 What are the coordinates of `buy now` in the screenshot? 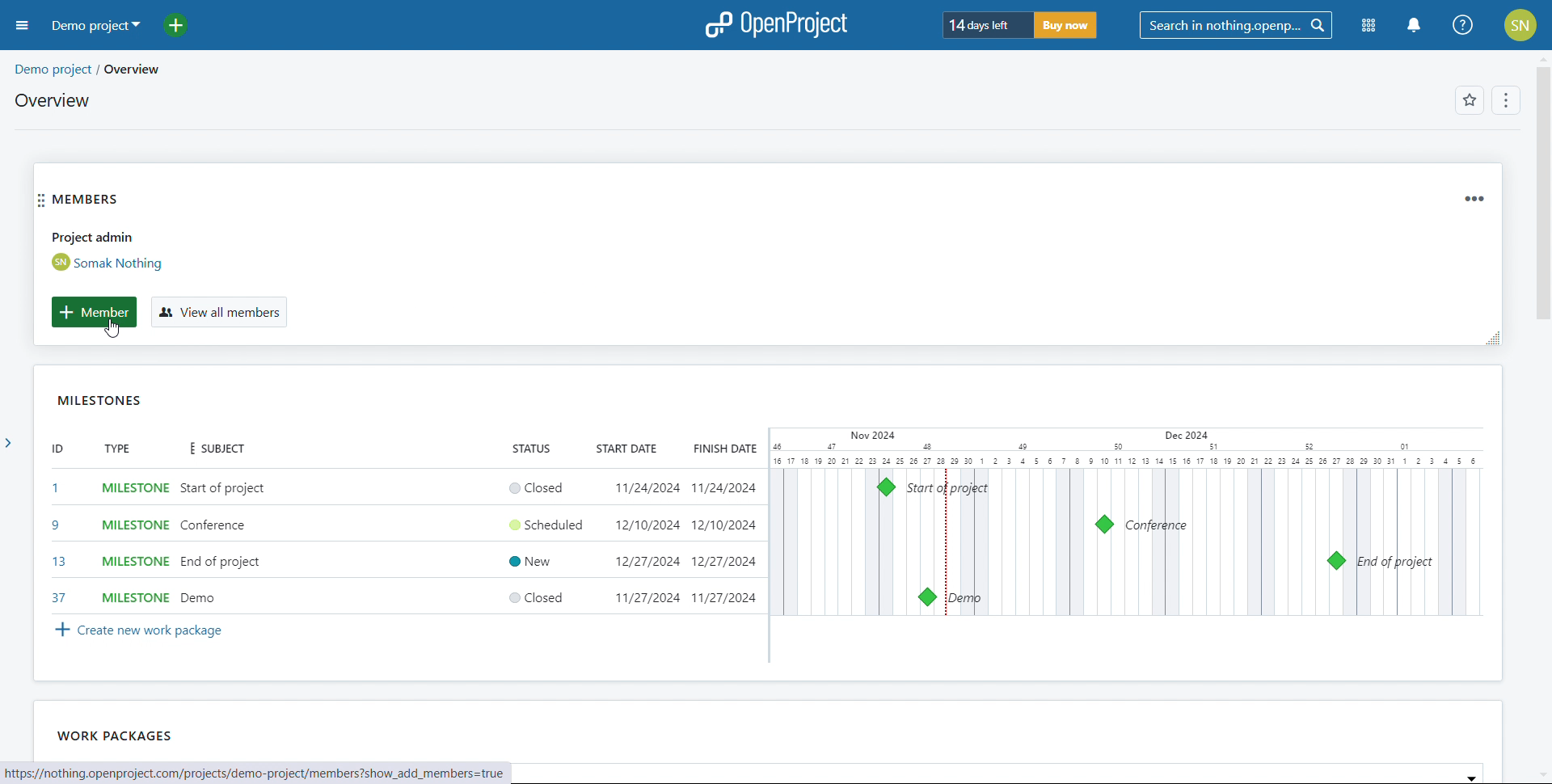 It's located at (1066, 24).